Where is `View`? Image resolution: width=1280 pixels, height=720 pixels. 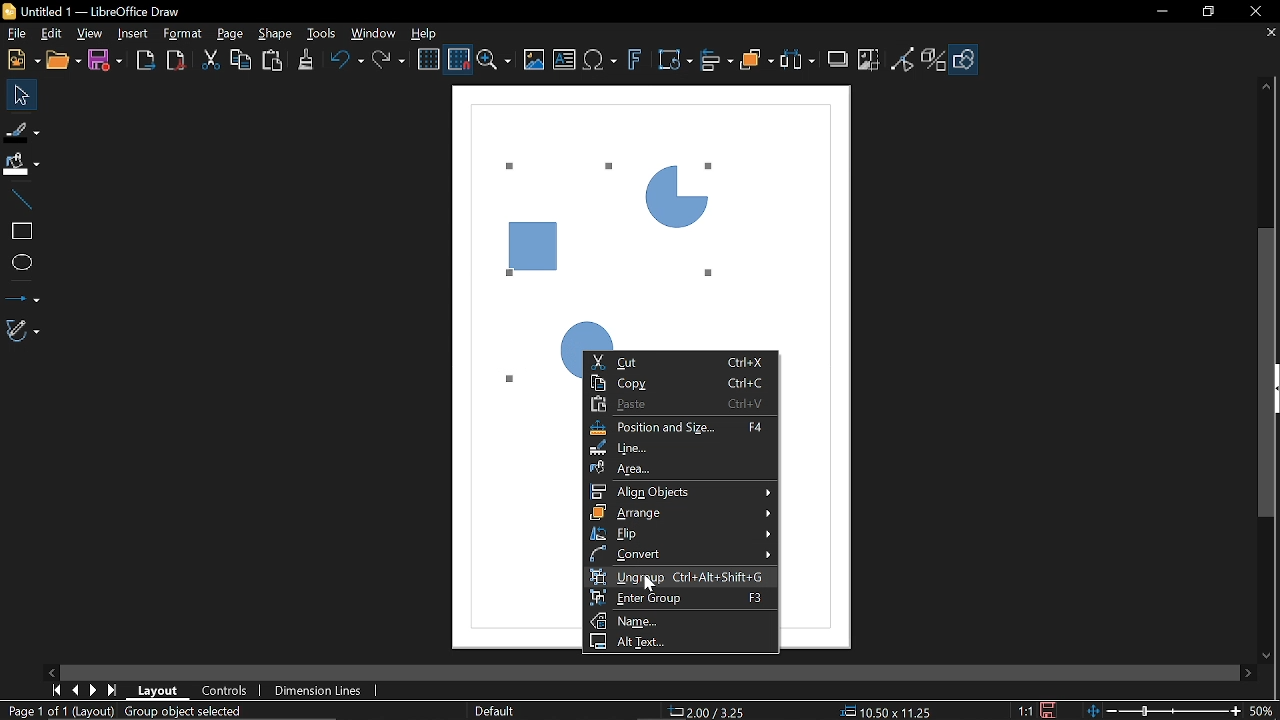 View is located at coordinates (90, 34).